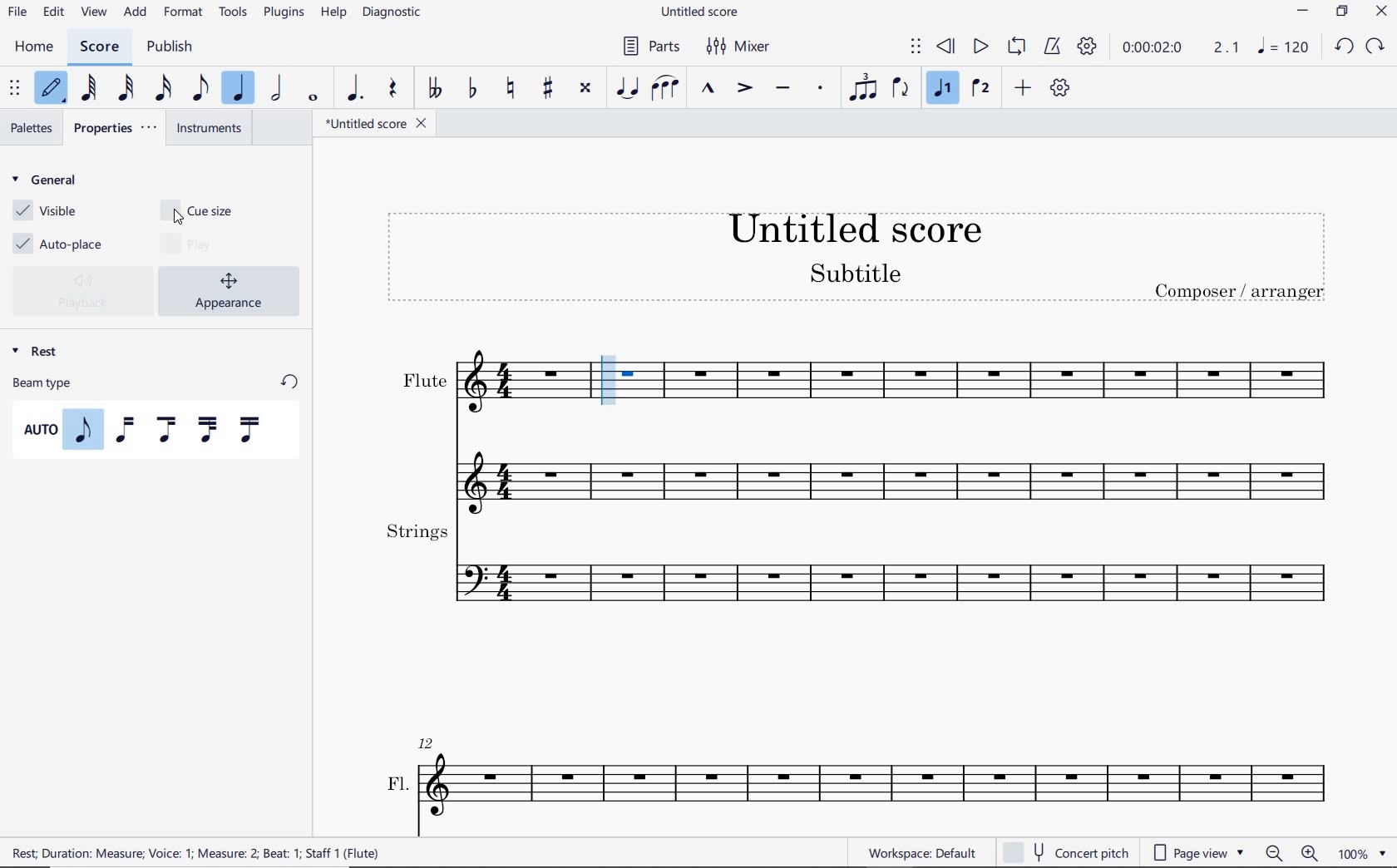 Image resolution: width=1397 pixels, height=868 pixels. Describe the element at coordinates (156, 382) in the screenshot. I see `BEAM TYPE` at that location.